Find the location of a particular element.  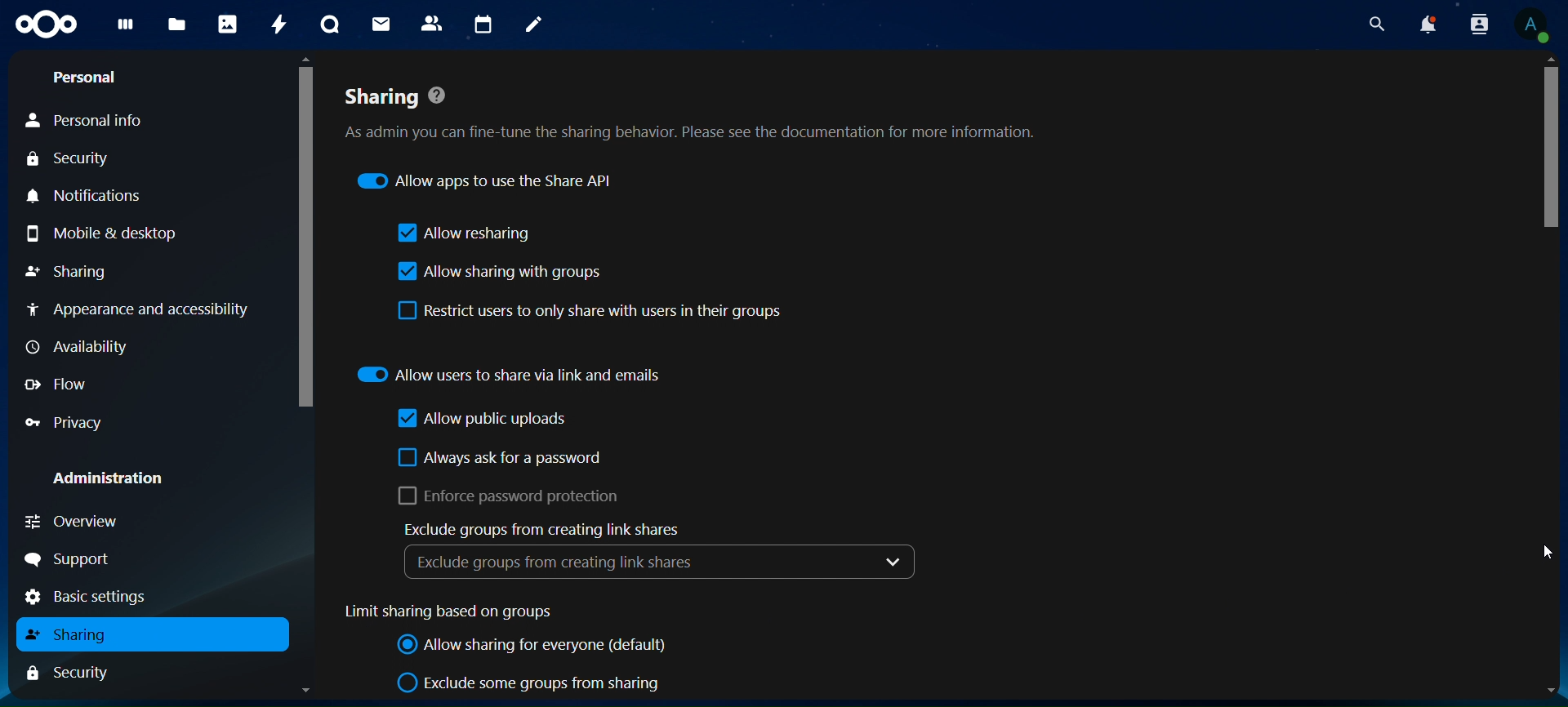

Scrollbar is located at coordinates (1551, 376).